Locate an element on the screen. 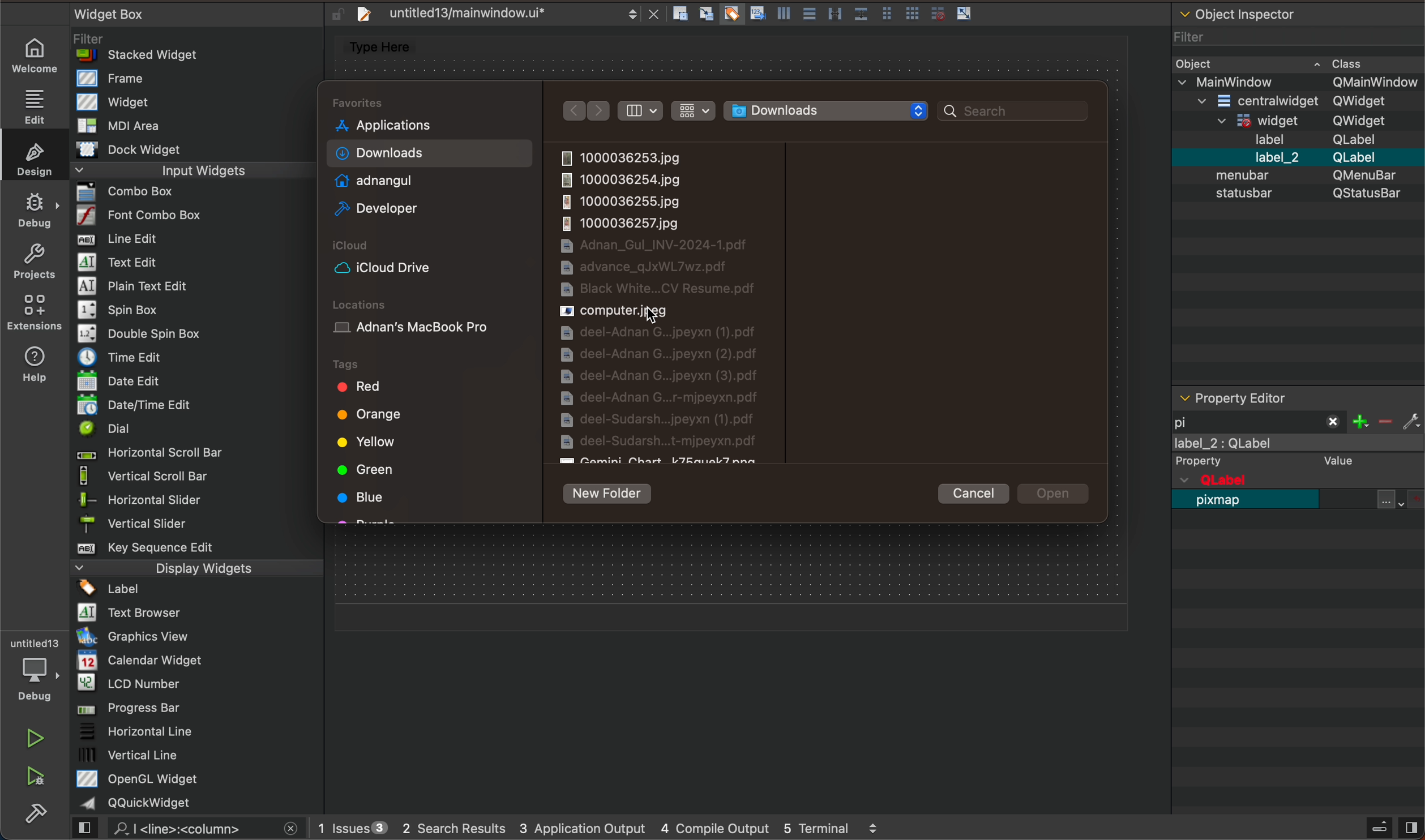 The height and width of the screenshot is (840, 1425). debug is located at coordinates (34, 206).